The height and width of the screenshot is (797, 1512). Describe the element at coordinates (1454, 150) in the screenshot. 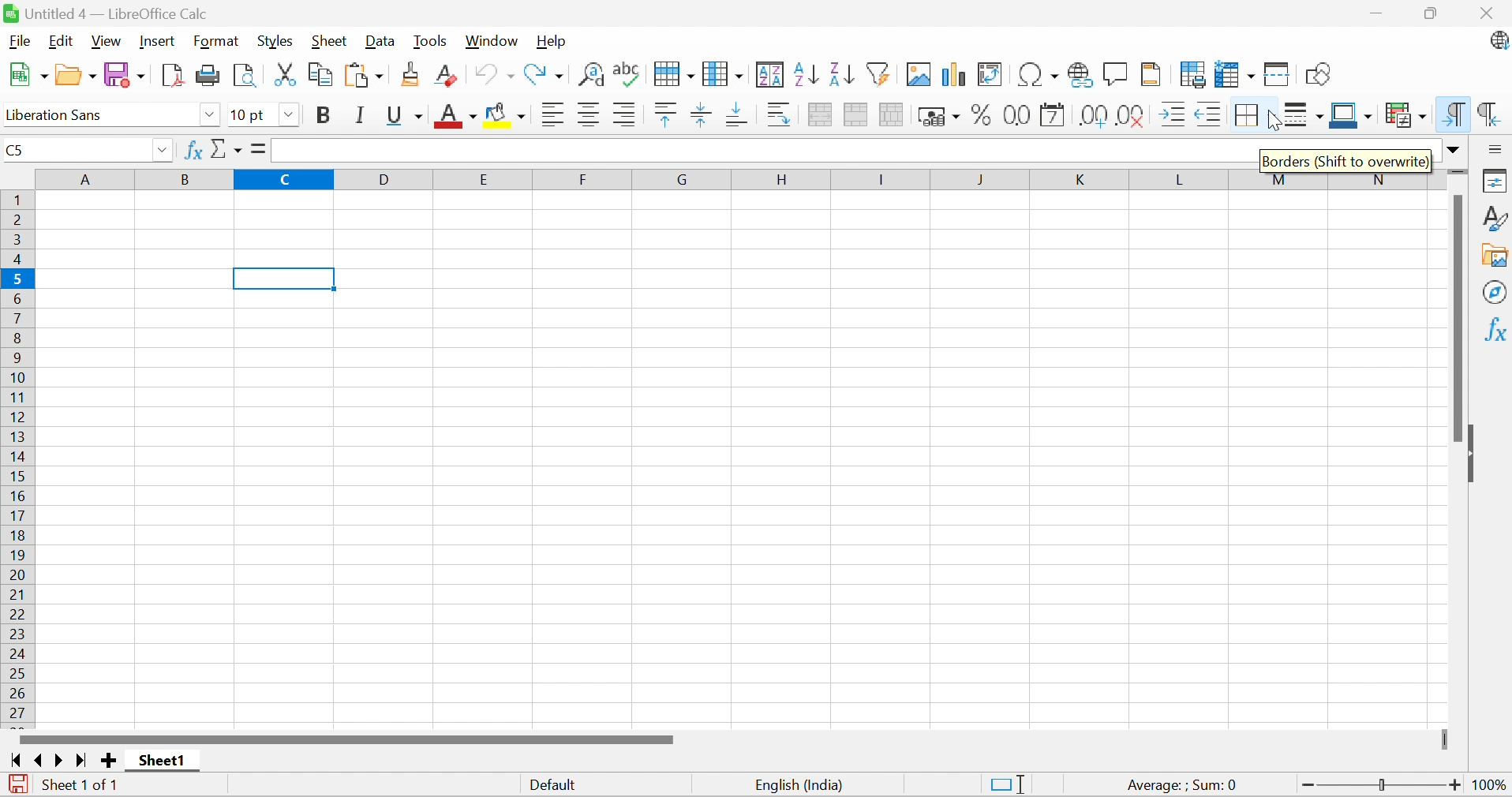

I see `Expand formula bar` at that location.